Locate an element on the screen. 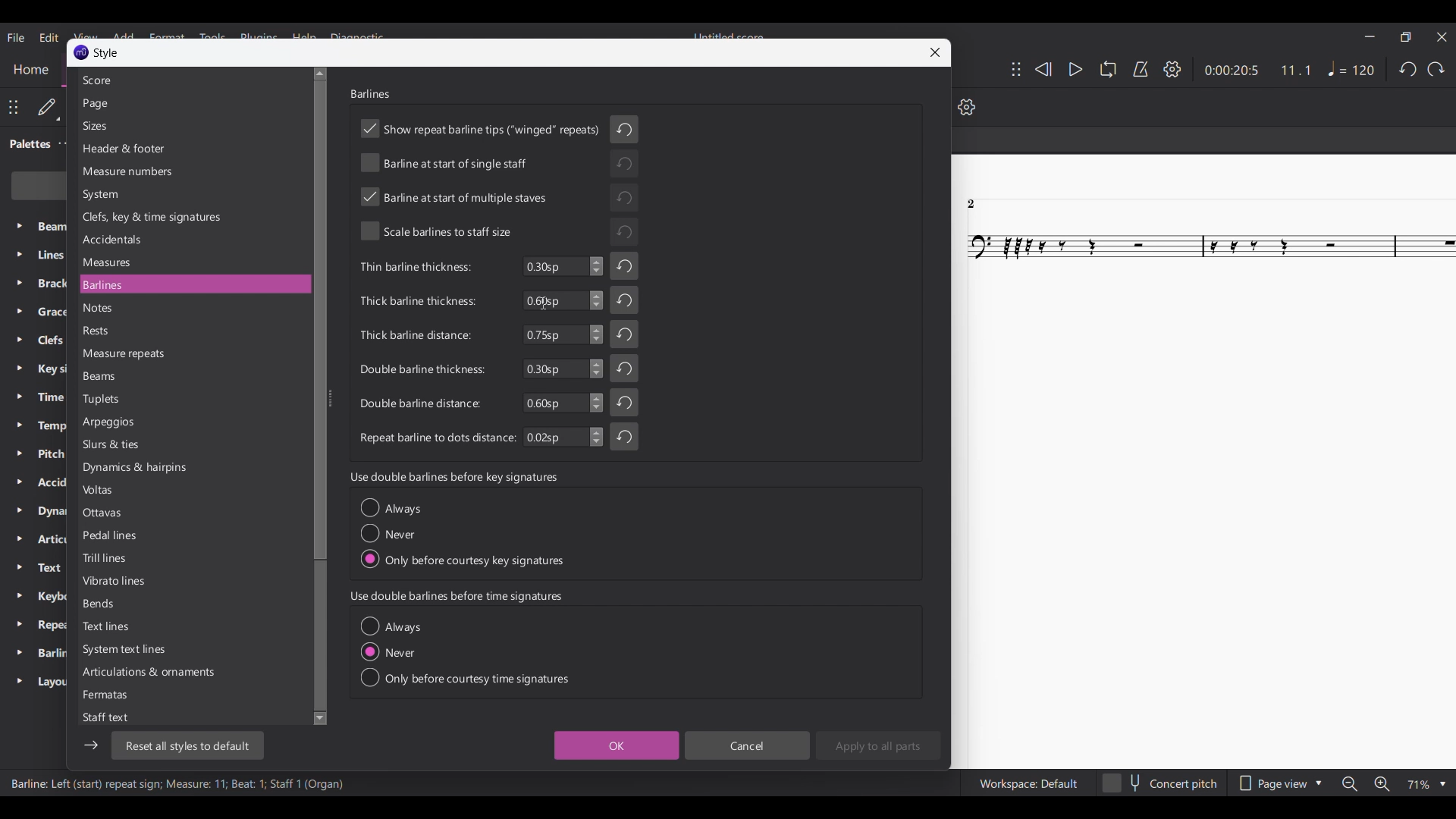 The width and height of the screenshot is (1456, 819). Show/Hide sidebar is located at coordinates (90, 745).